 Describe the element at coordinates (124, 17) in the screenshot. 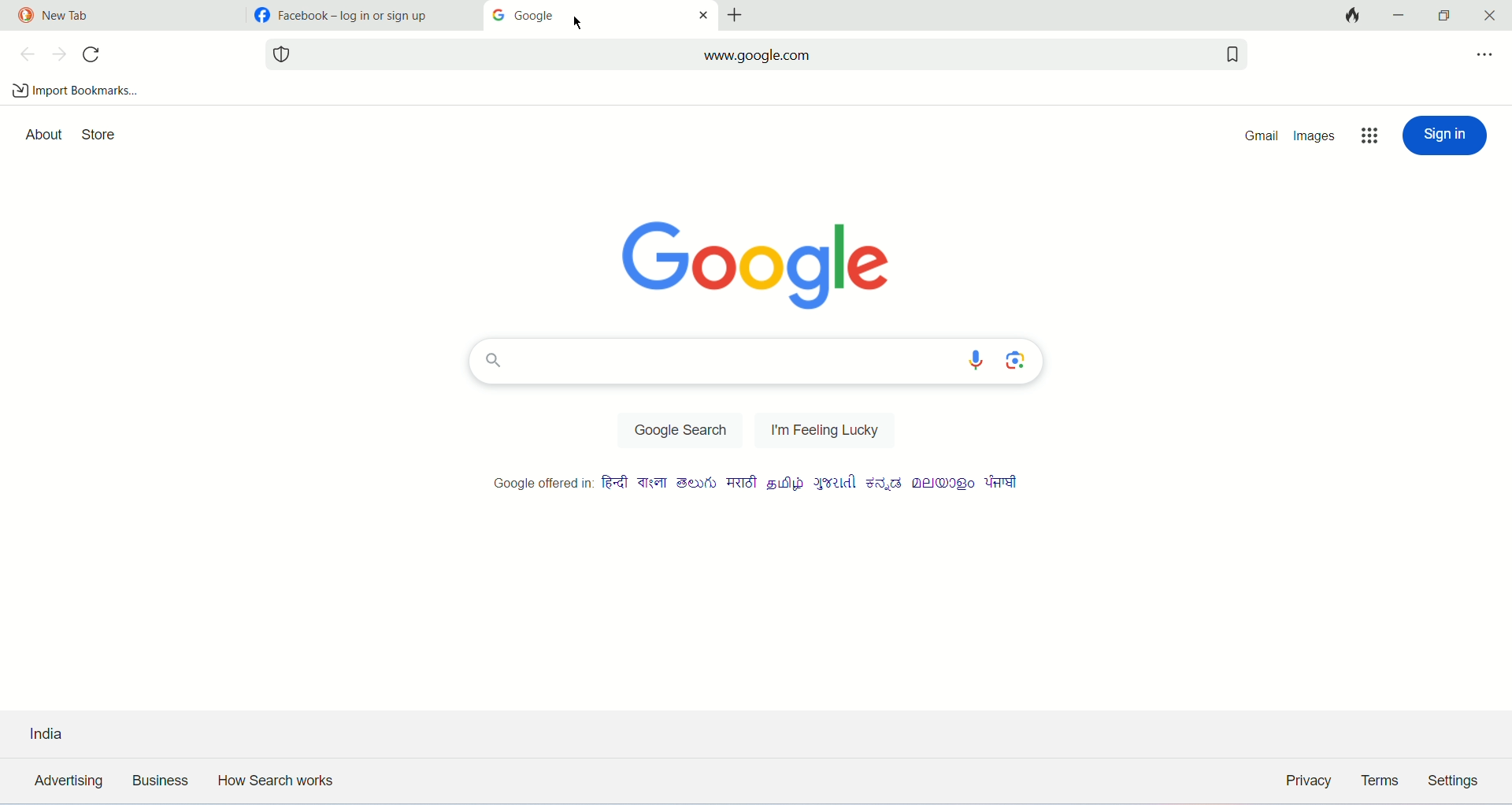

I see `tab1` at that location.